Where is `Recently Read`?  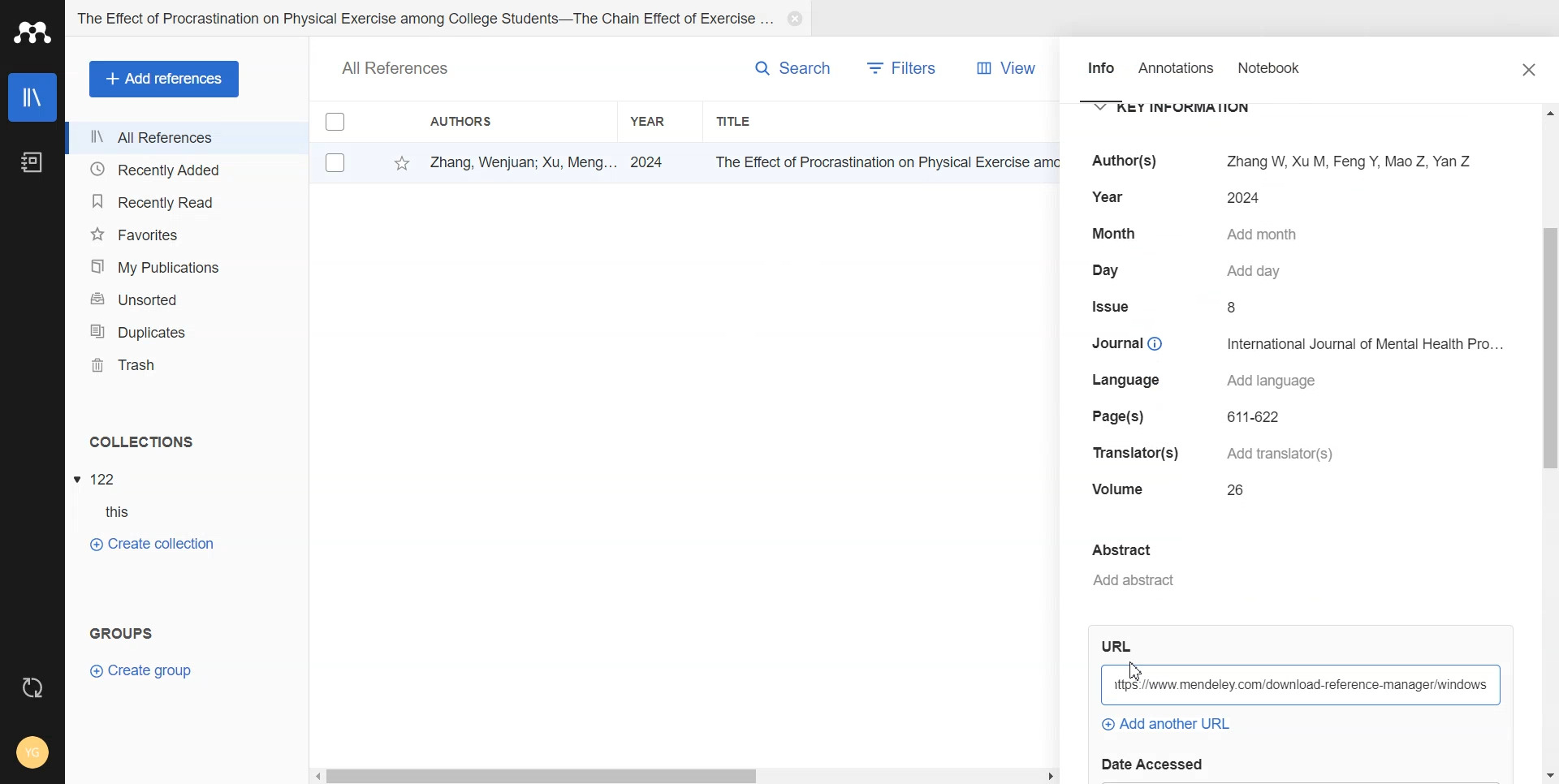 Recently Read is located at coordinates (186, 200).